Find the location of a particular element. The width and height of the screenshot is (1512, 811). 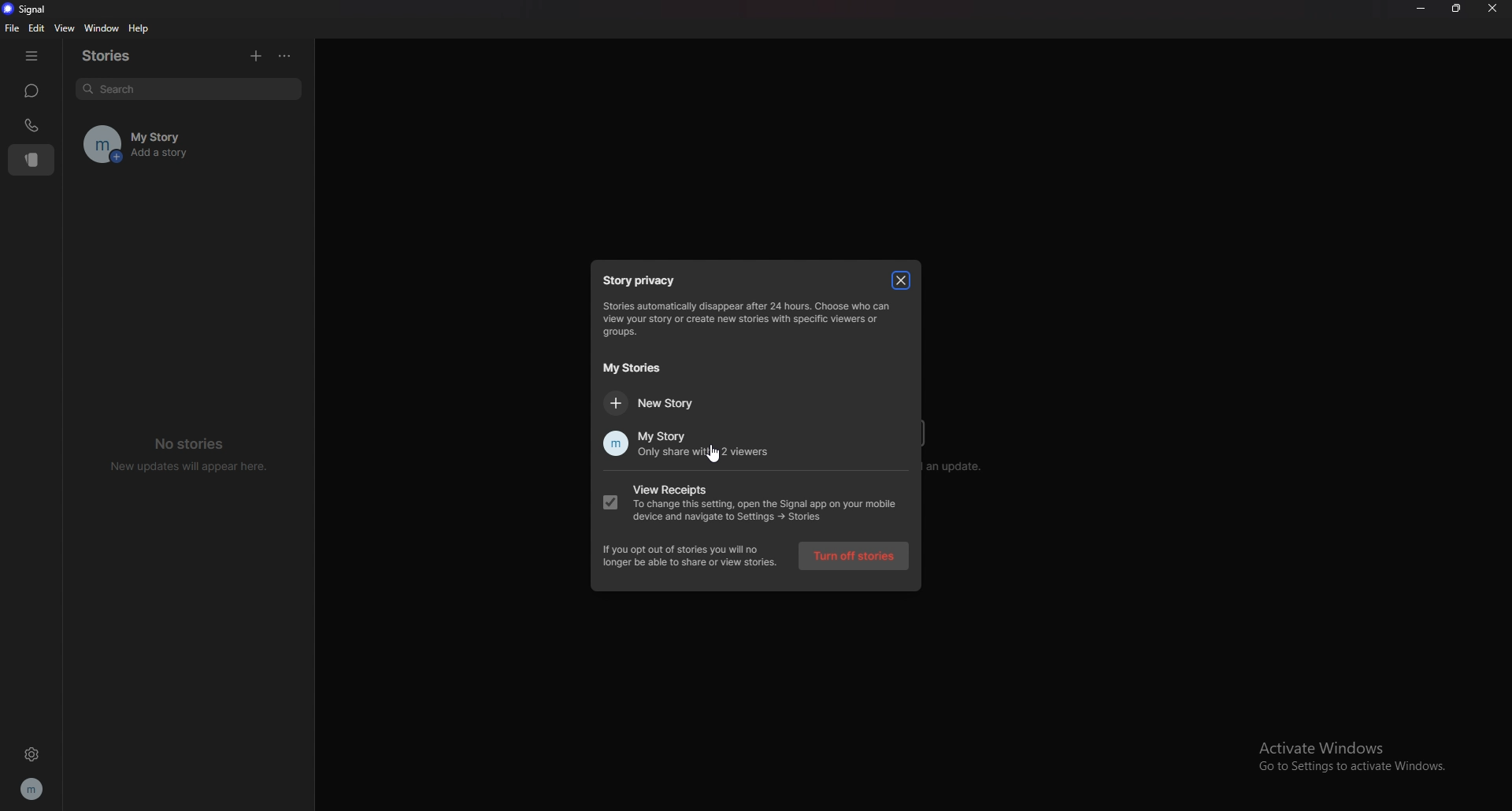

my story only share with 2 viewers is located at coordinates (690, 444).